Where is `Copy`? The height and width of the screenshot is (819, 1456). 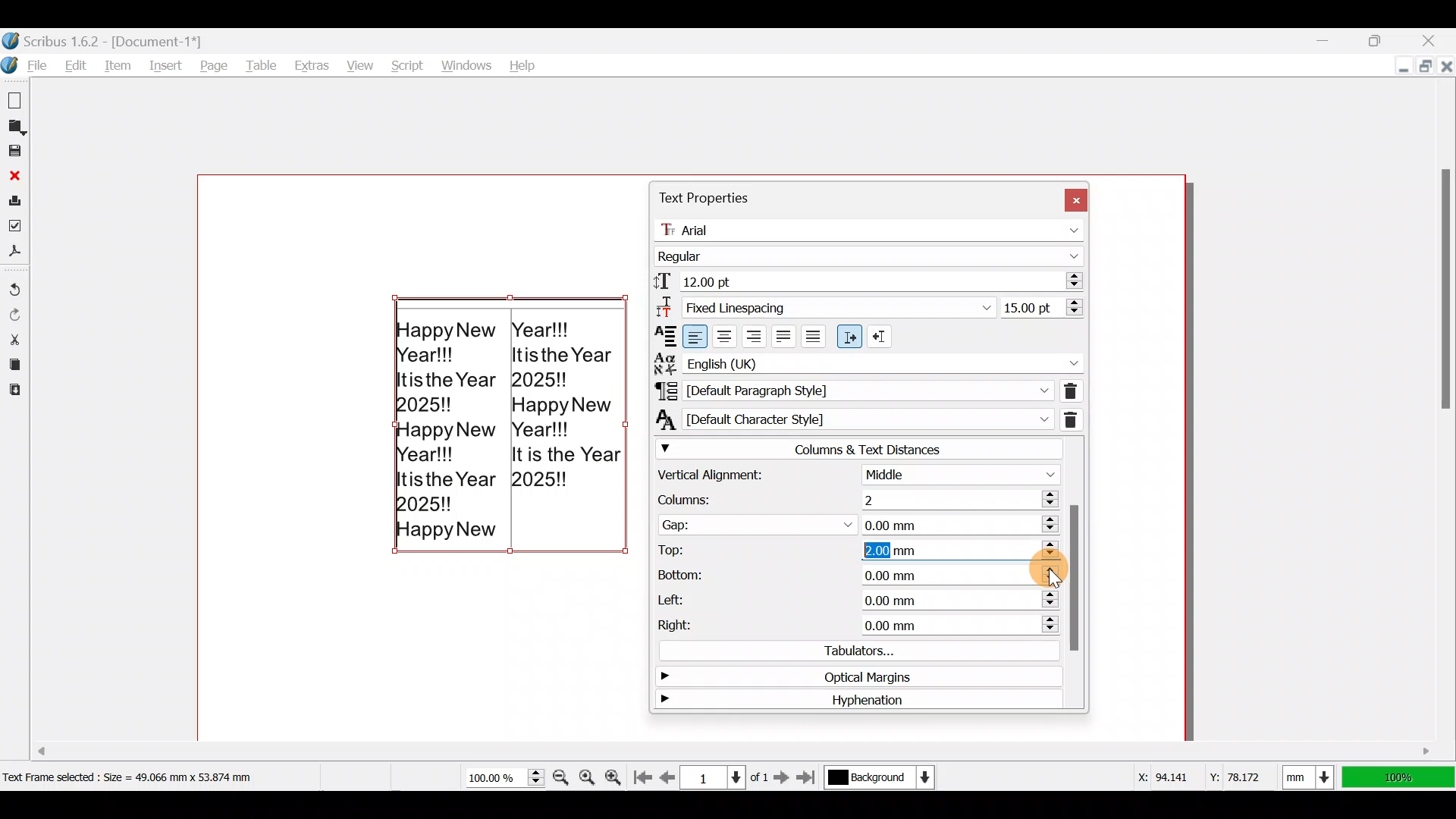
Copy is located at coordinates (13, 364).